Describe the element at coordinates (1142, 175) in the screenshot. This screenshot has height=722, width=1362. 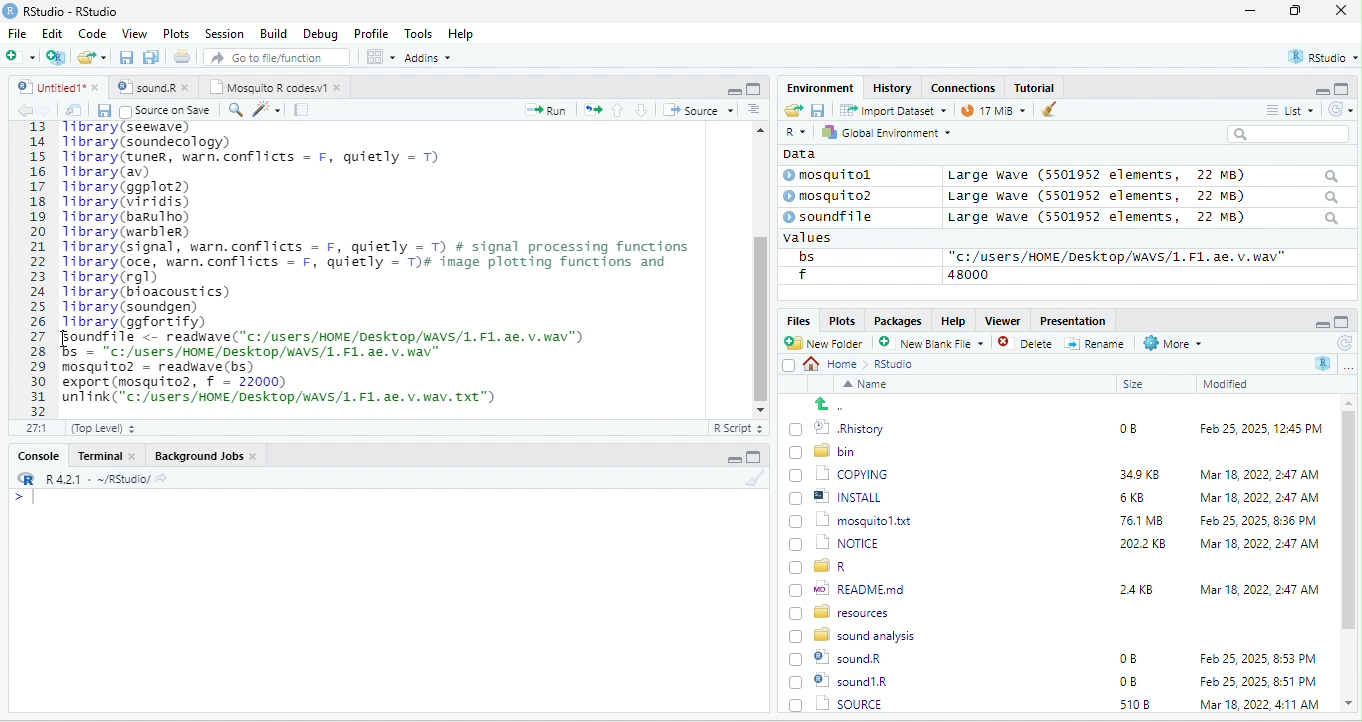
I see `Large wave (5501952 elements, 22 MB)` at that location.